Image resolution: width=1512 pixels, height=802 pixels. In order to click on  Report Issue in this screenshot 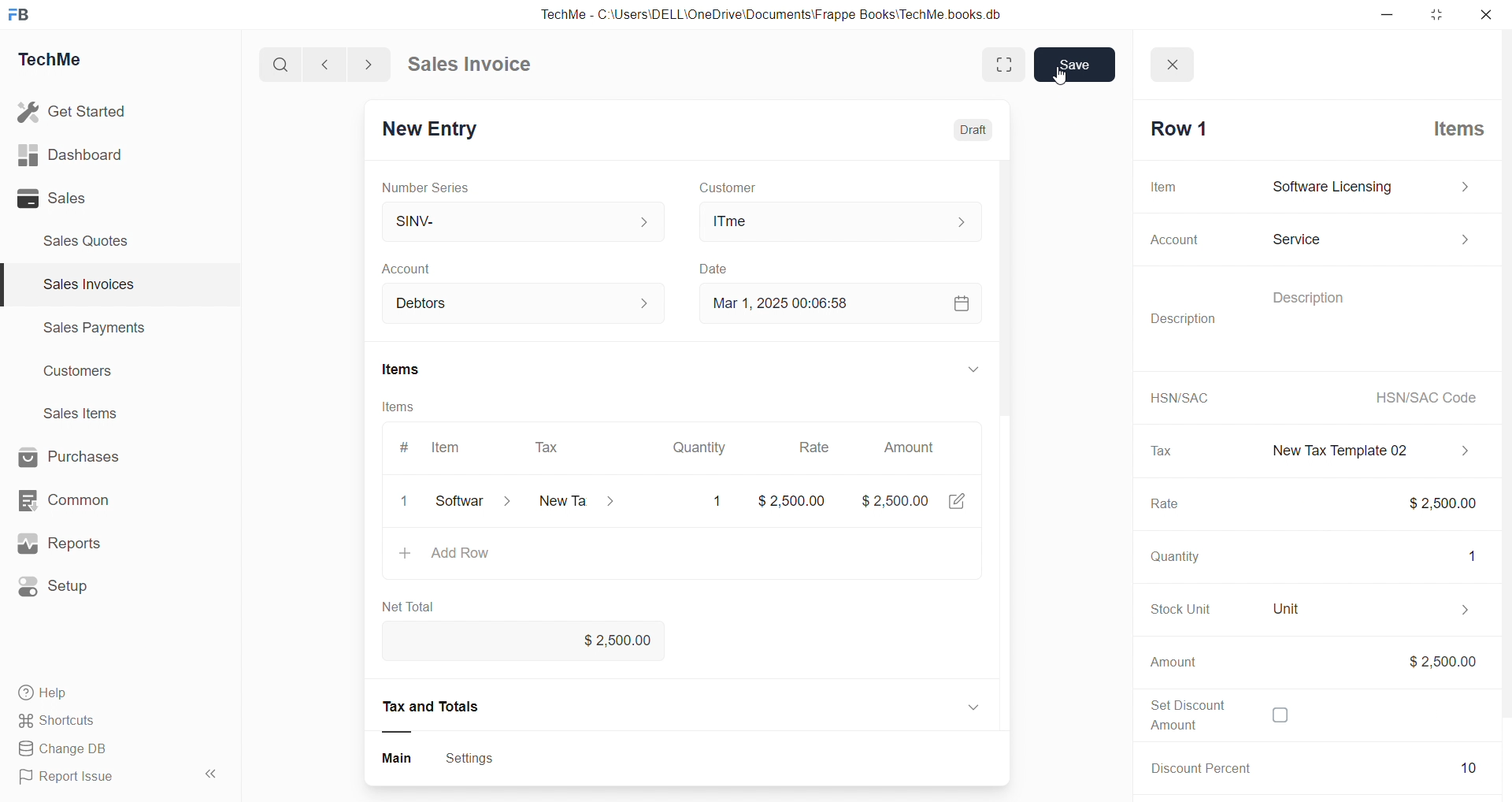, I will do `click(73, 779)`.